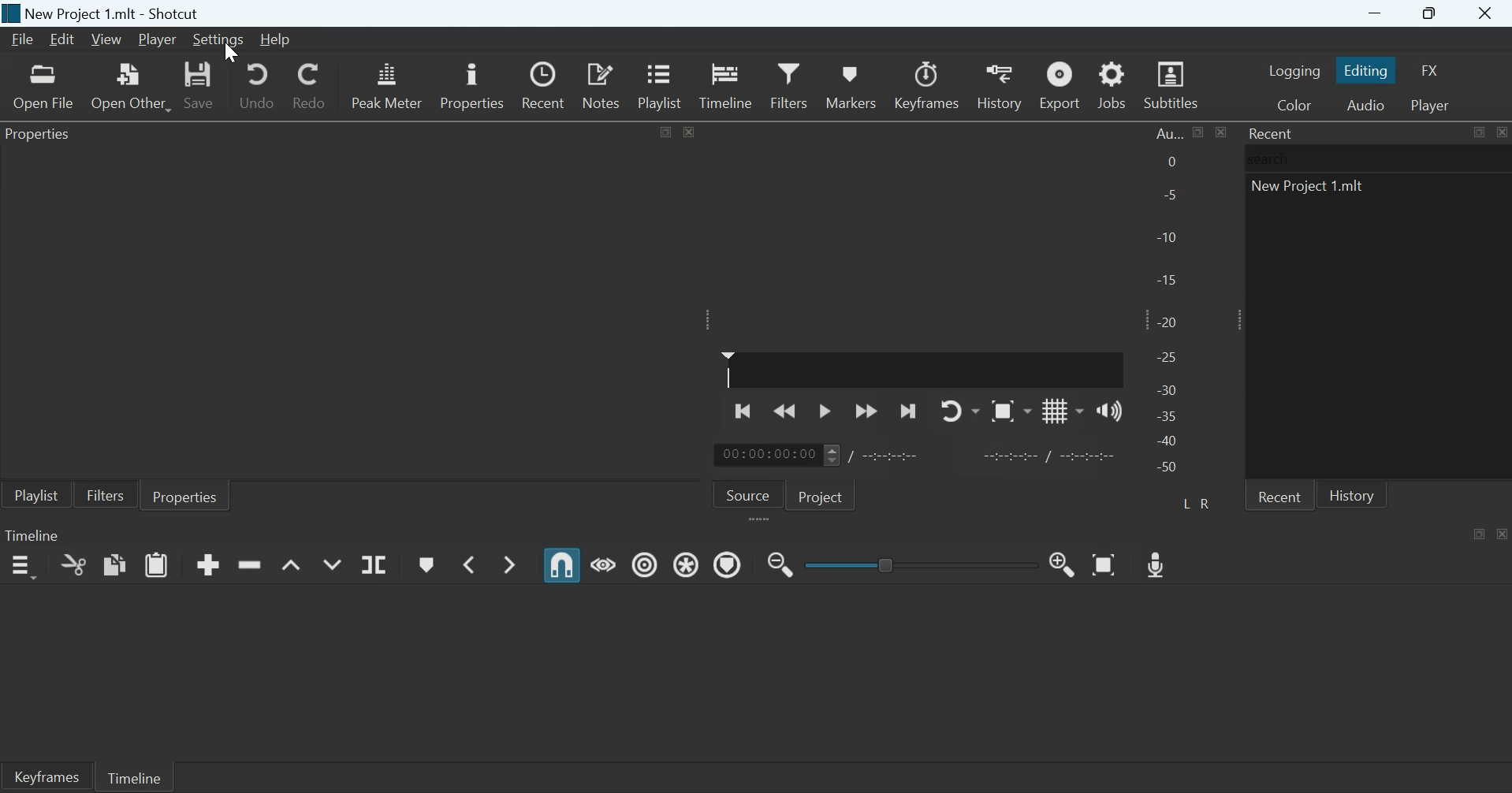 This screenshot has width=1512, height=793. What do you see at coordinates (249, 564) in the screenshot?
I see `Ripple delete` at bounding box center [249, 564].